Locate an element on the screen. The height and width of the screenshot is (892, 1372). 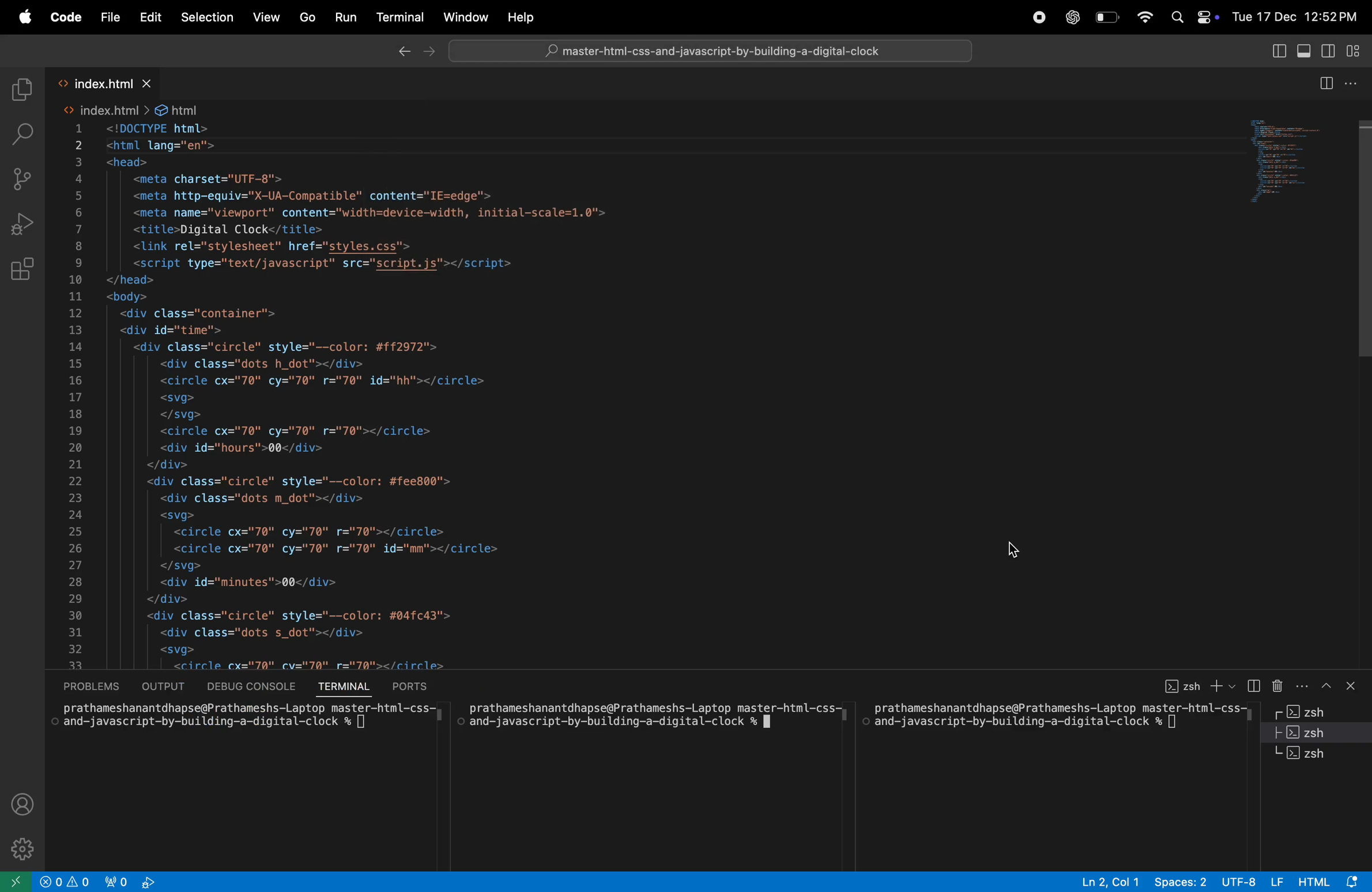
Go is located at coordinates (306, 17).